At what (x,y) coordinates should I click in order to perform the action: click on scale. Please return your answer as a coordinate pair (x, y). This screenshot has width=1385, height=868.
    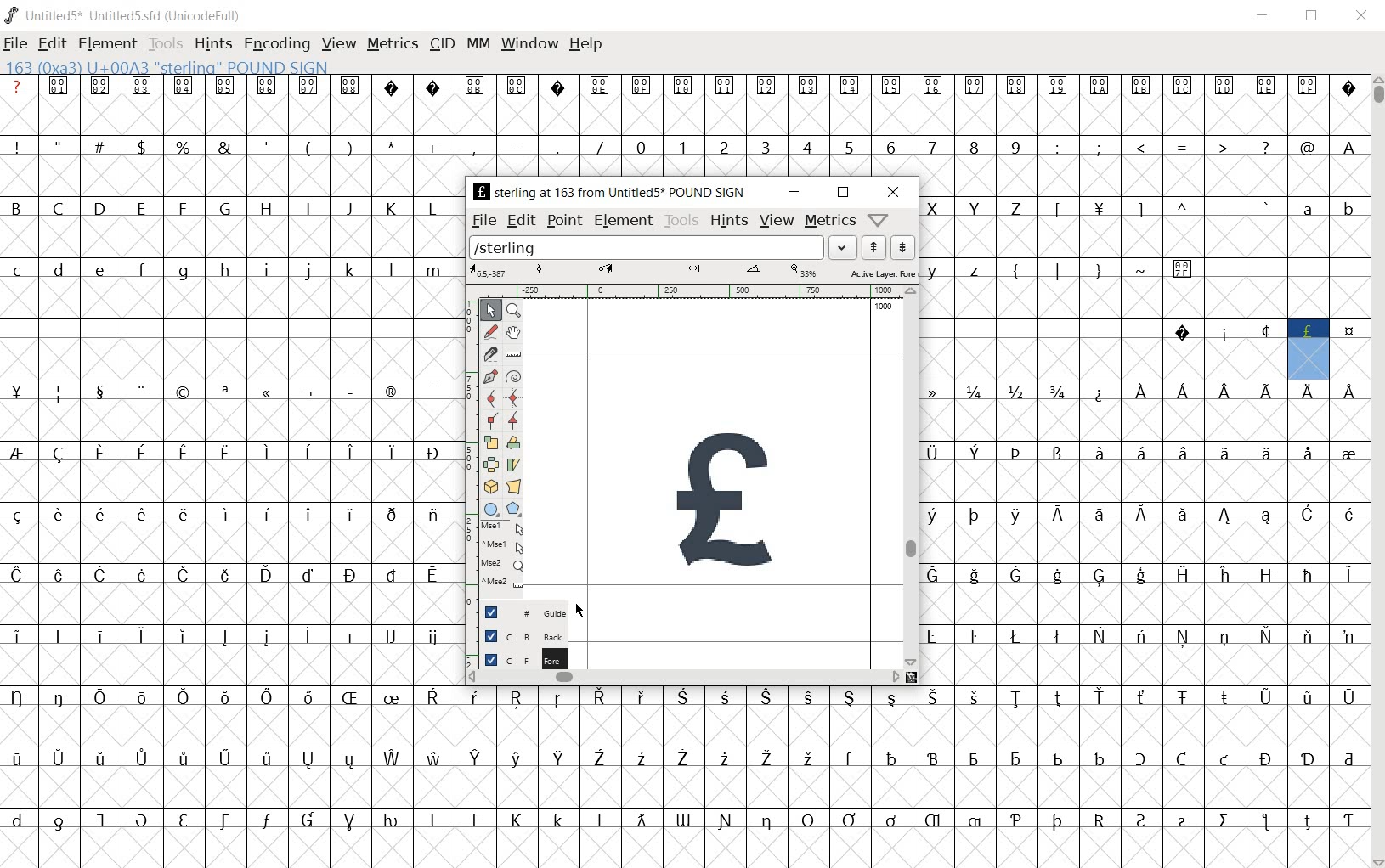
    Looking at the image, I should click on (495, 442).